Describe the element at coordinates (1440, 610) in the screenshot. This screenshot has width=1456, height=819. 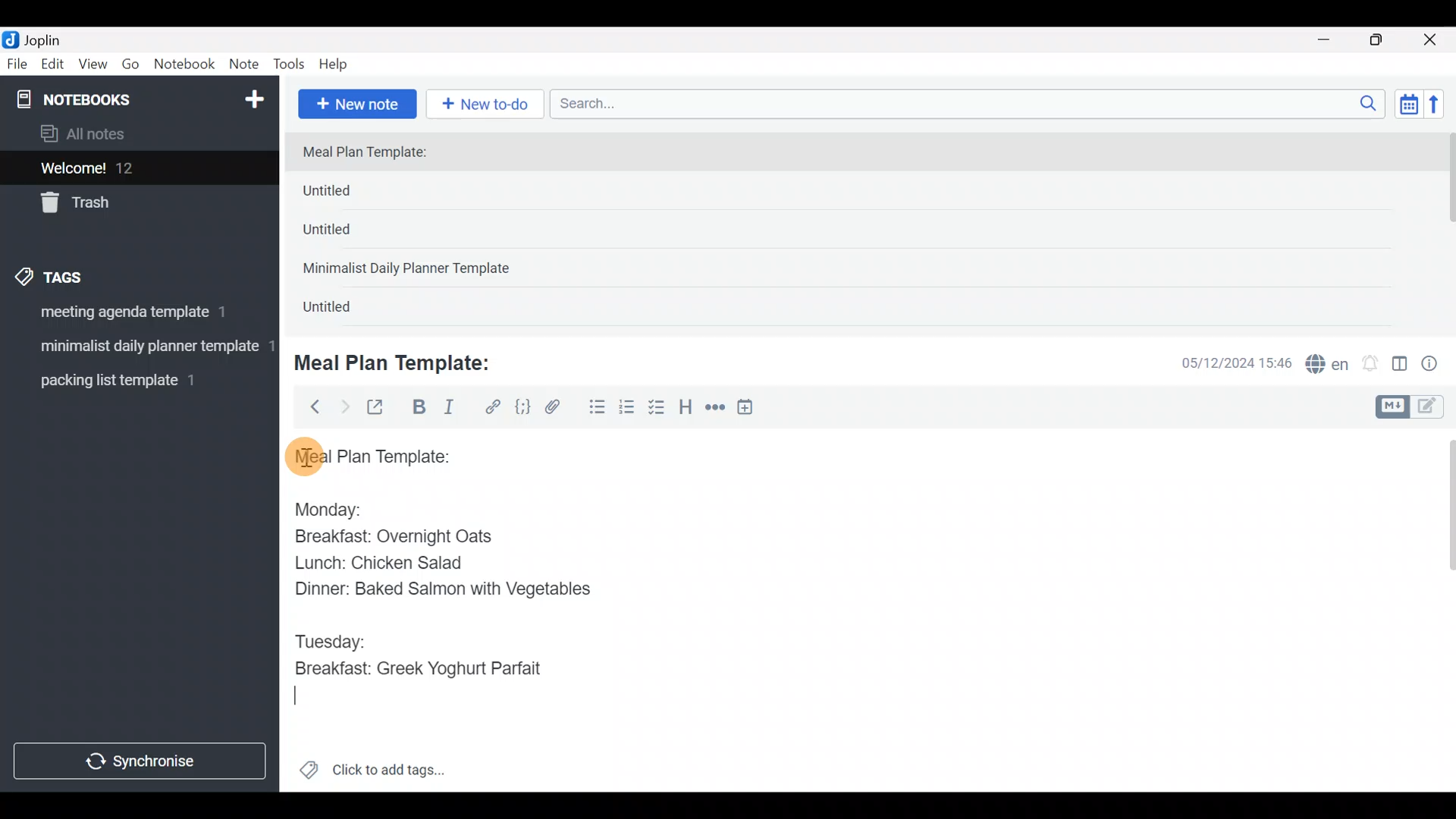
I see `Scroll bar` at that location.